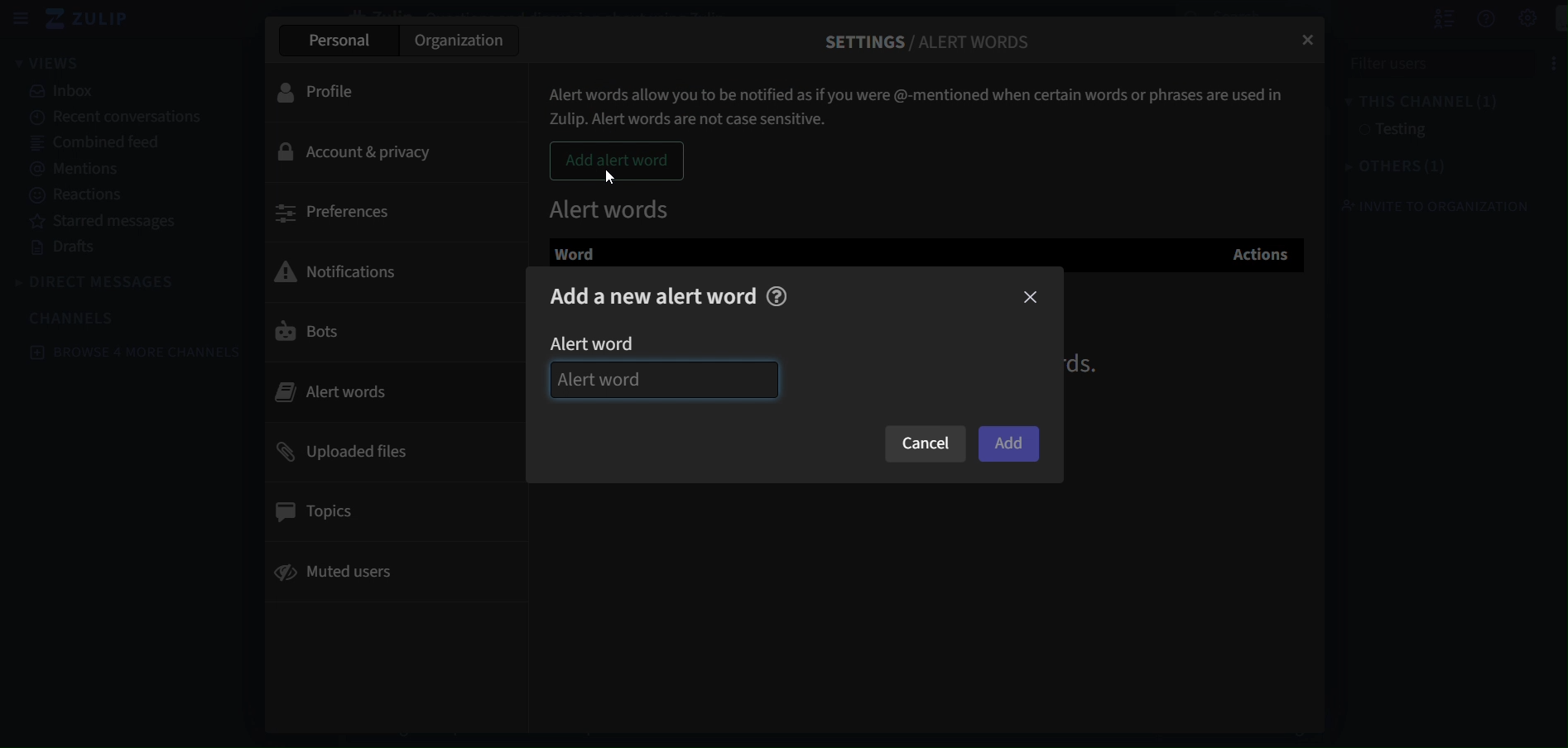 This screenshot has width=1568, height=748. Describe the element at coordinates (1551, 18) in the screenshot. I see `personal menu` at that location.